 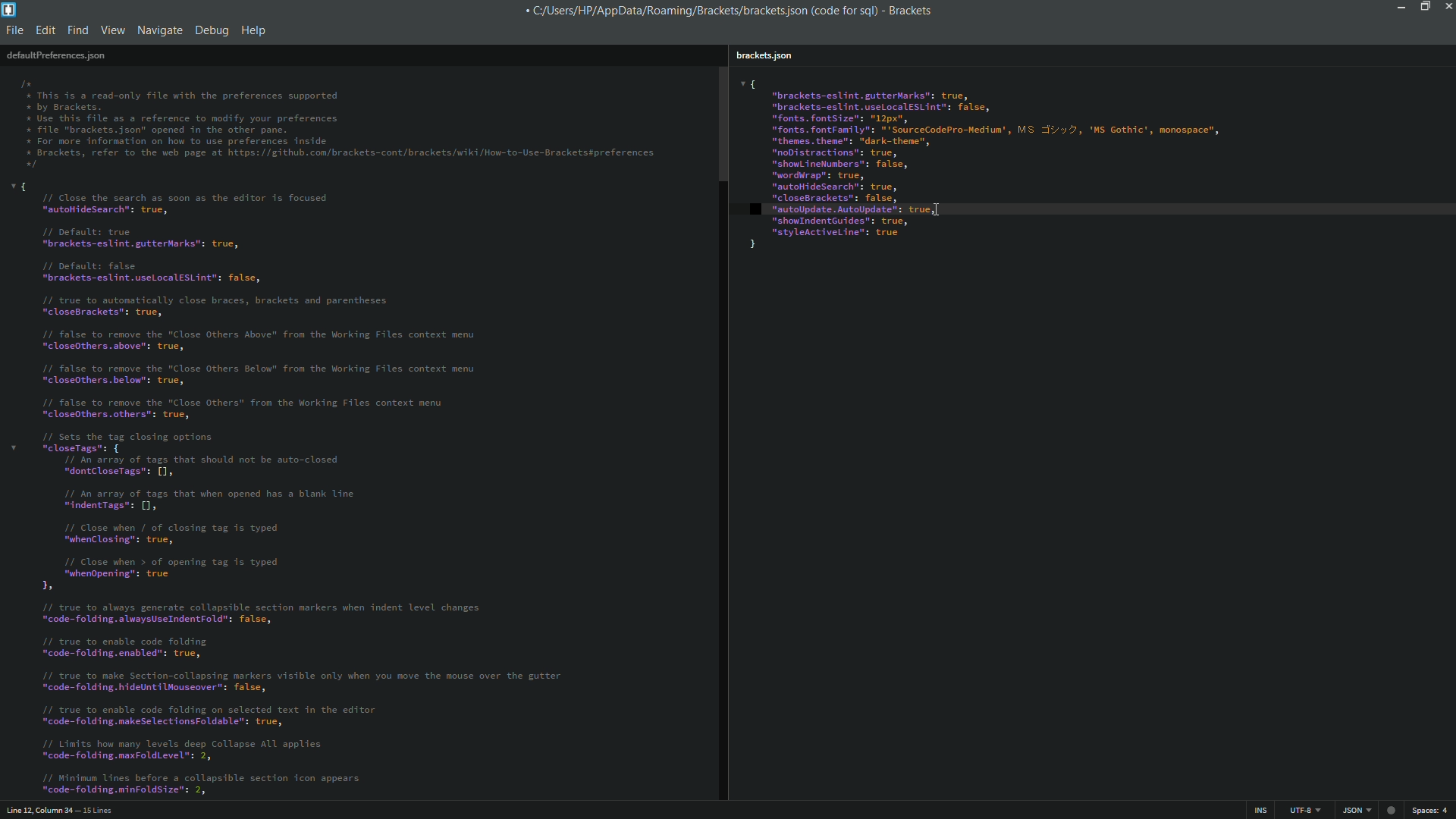 What do you see at coordinates (1393, 808) in the screenshot?
I see `record` at bounding box center [1393, 808].